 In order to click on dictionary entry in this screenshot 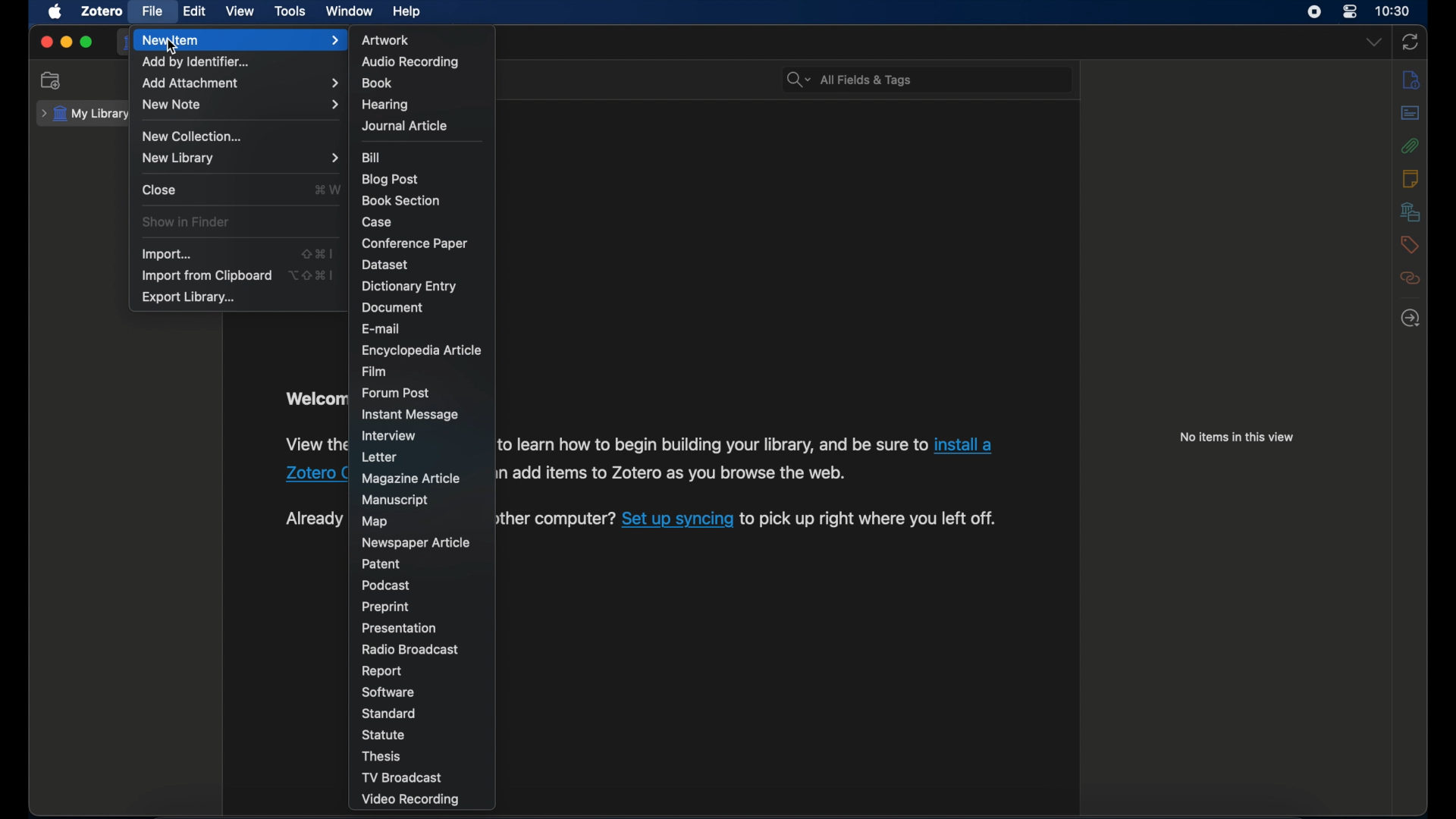, I will do `click(409, 287)`.